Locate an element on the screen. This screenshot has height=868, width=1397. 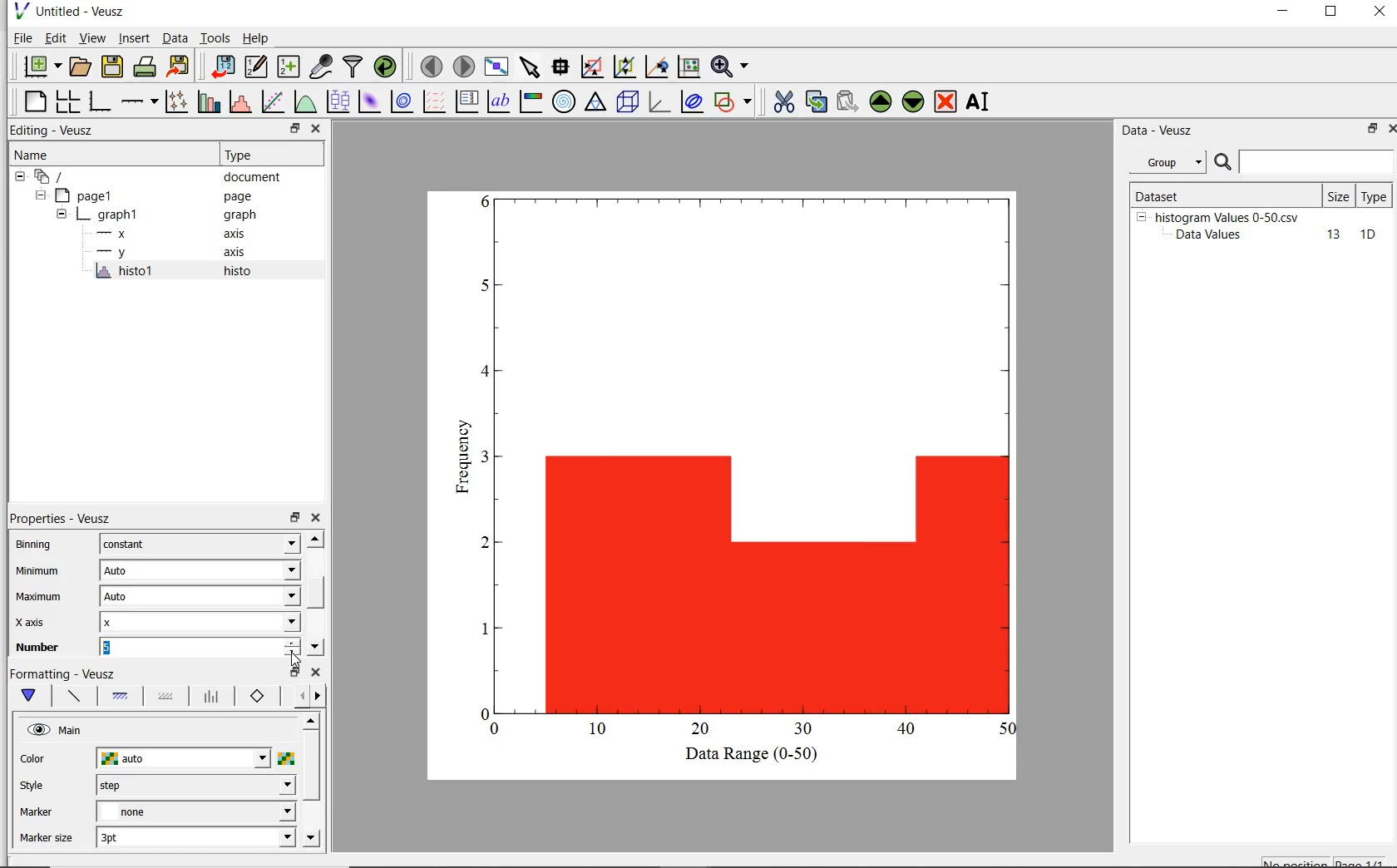
plot line is located at coordinates (73, 698).